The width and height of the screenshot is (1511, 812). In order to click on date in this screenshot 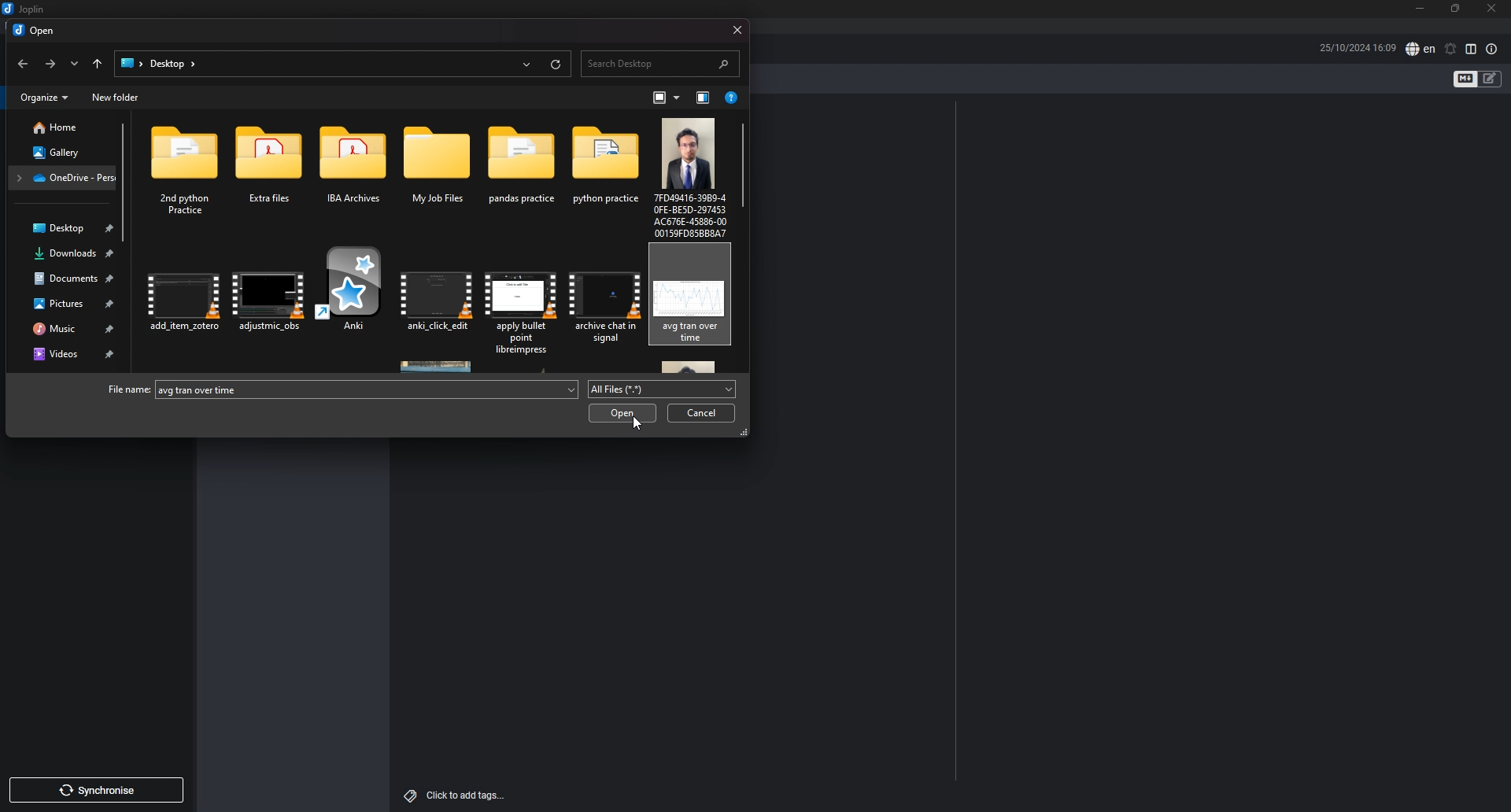, I will do `click(1357, 47)`.